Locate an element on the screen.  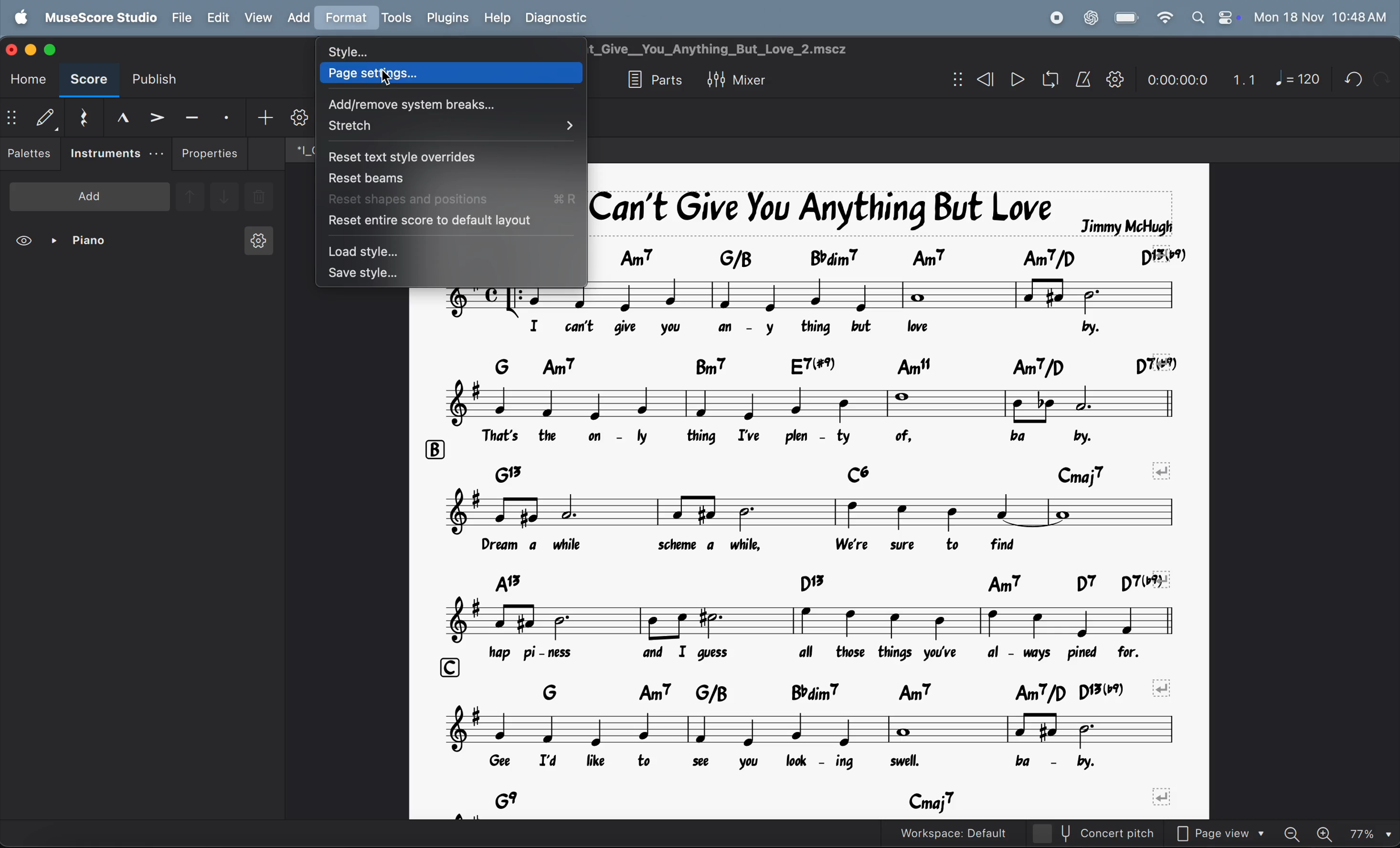
search is located at coordinates (1197, 17).